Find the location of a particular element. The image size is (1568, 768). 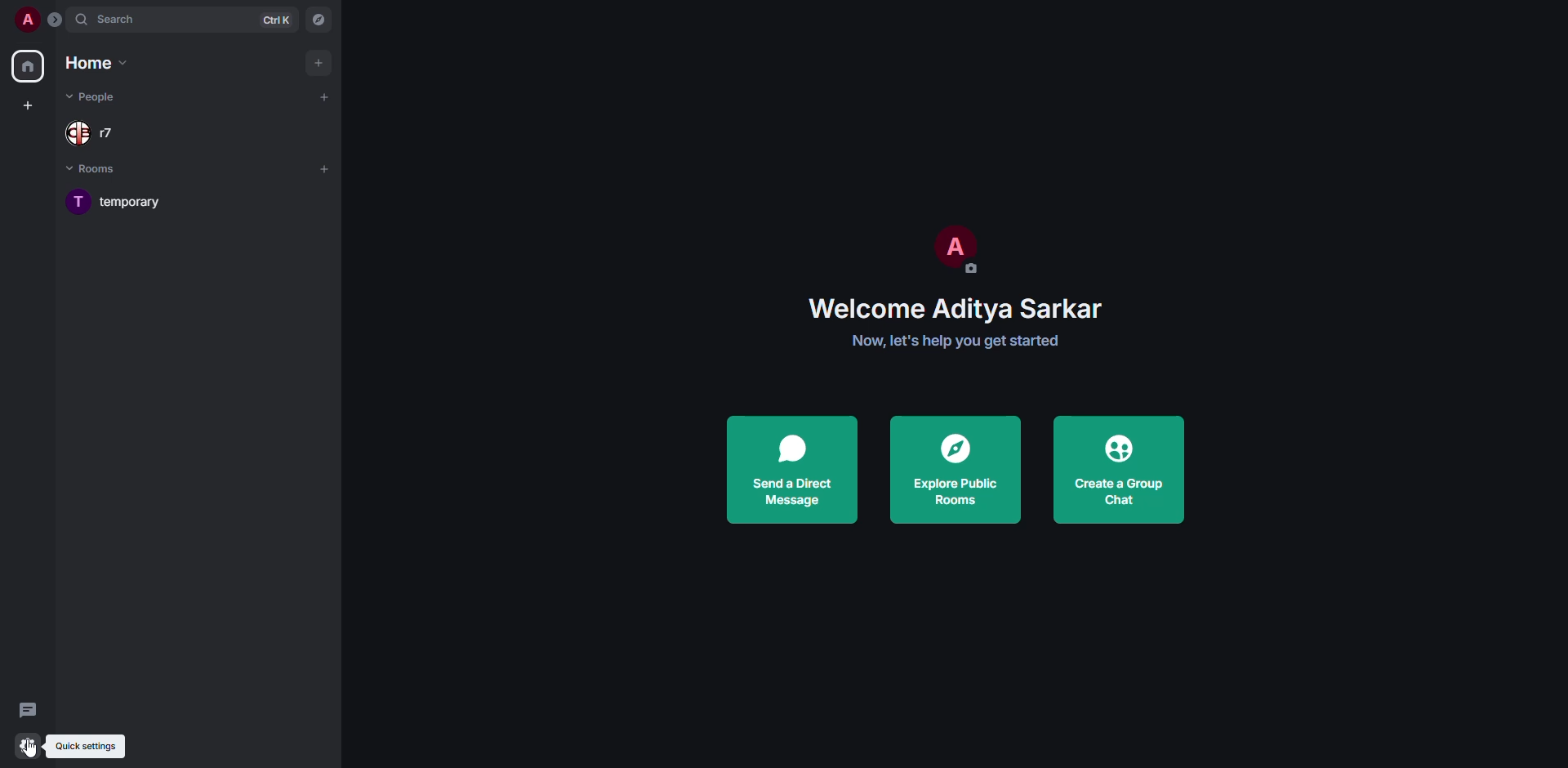

send a direct message is located at coordinates (791, 472).